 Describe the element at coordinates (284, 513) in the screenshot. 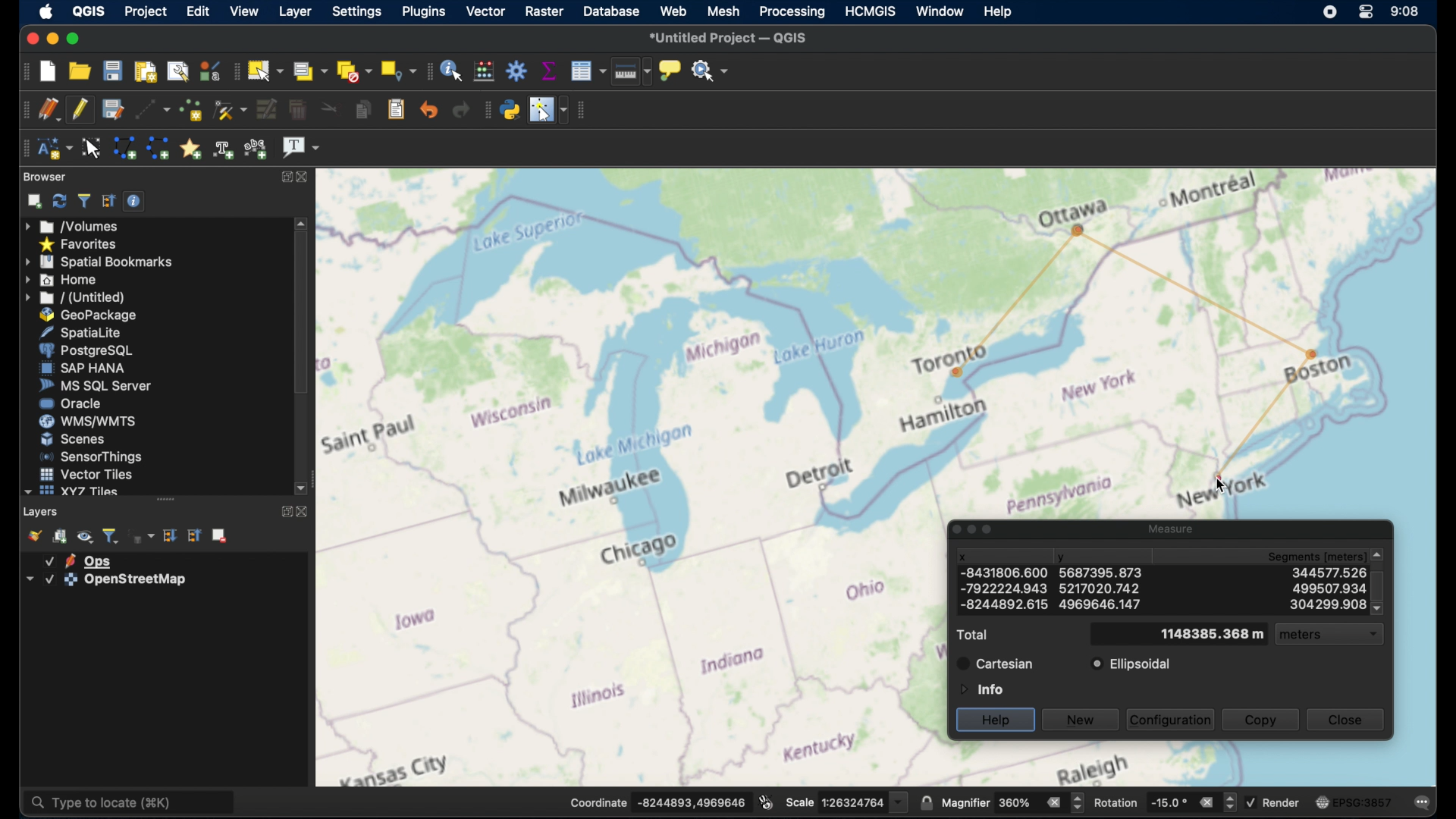

I see `maximize` at that location.